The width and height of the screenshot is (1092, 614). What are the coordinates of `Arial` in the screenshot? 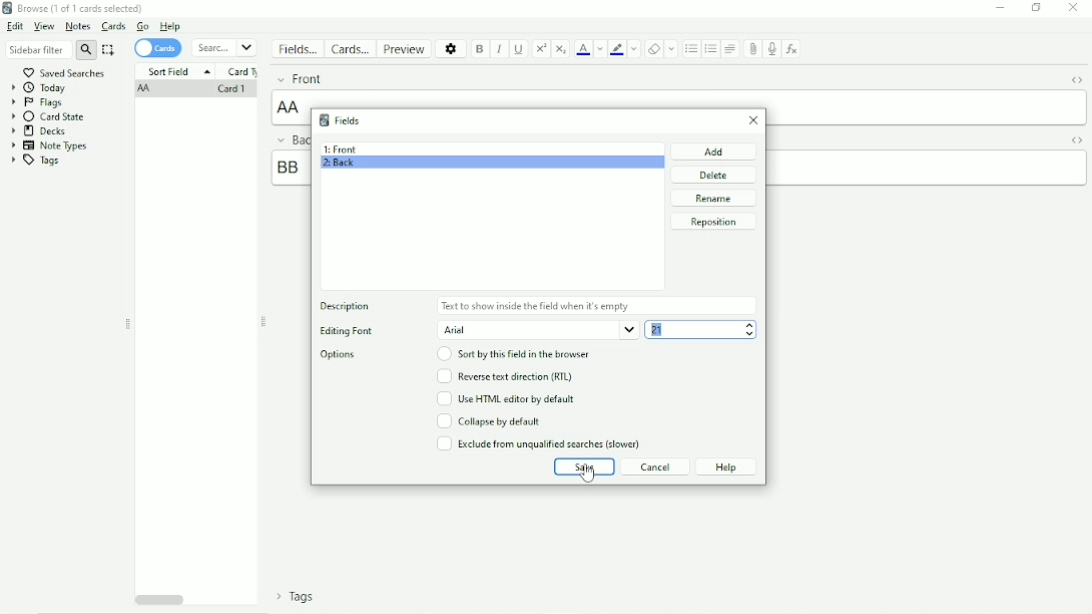 It's located at (538, 330).